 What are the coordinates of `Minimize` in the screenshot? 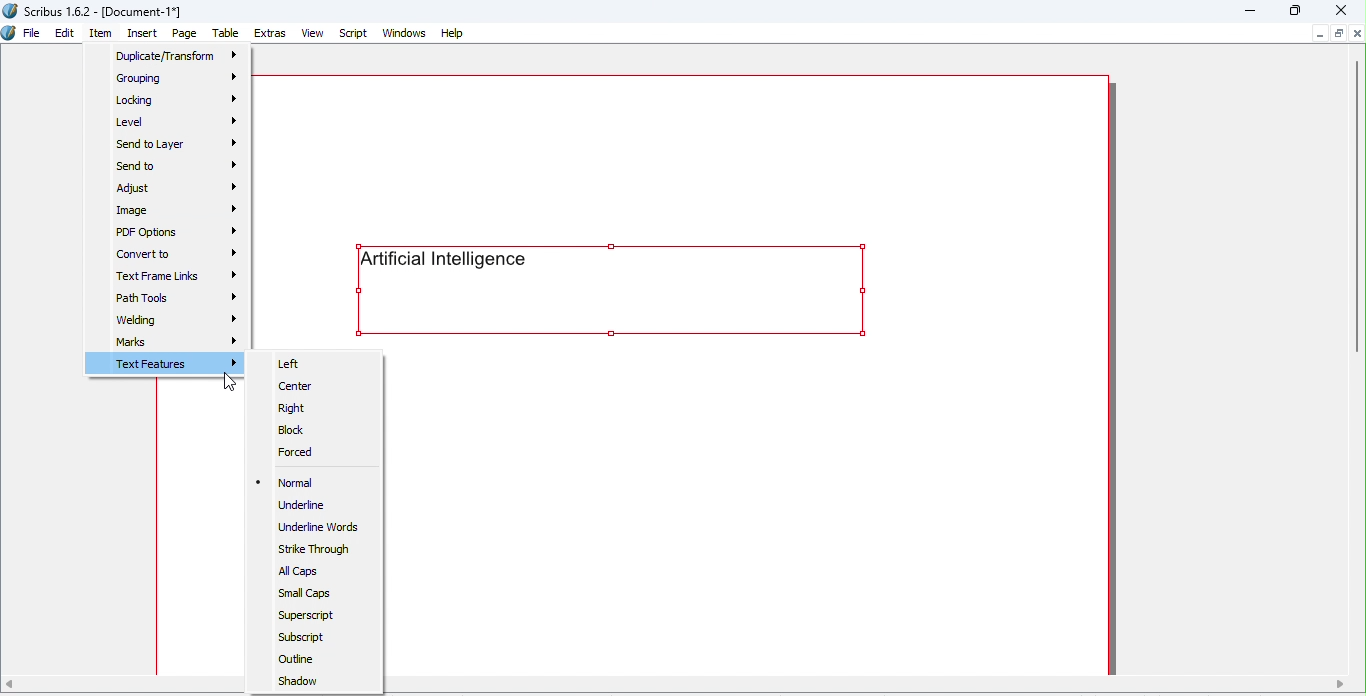 It's located at (1250, 11).